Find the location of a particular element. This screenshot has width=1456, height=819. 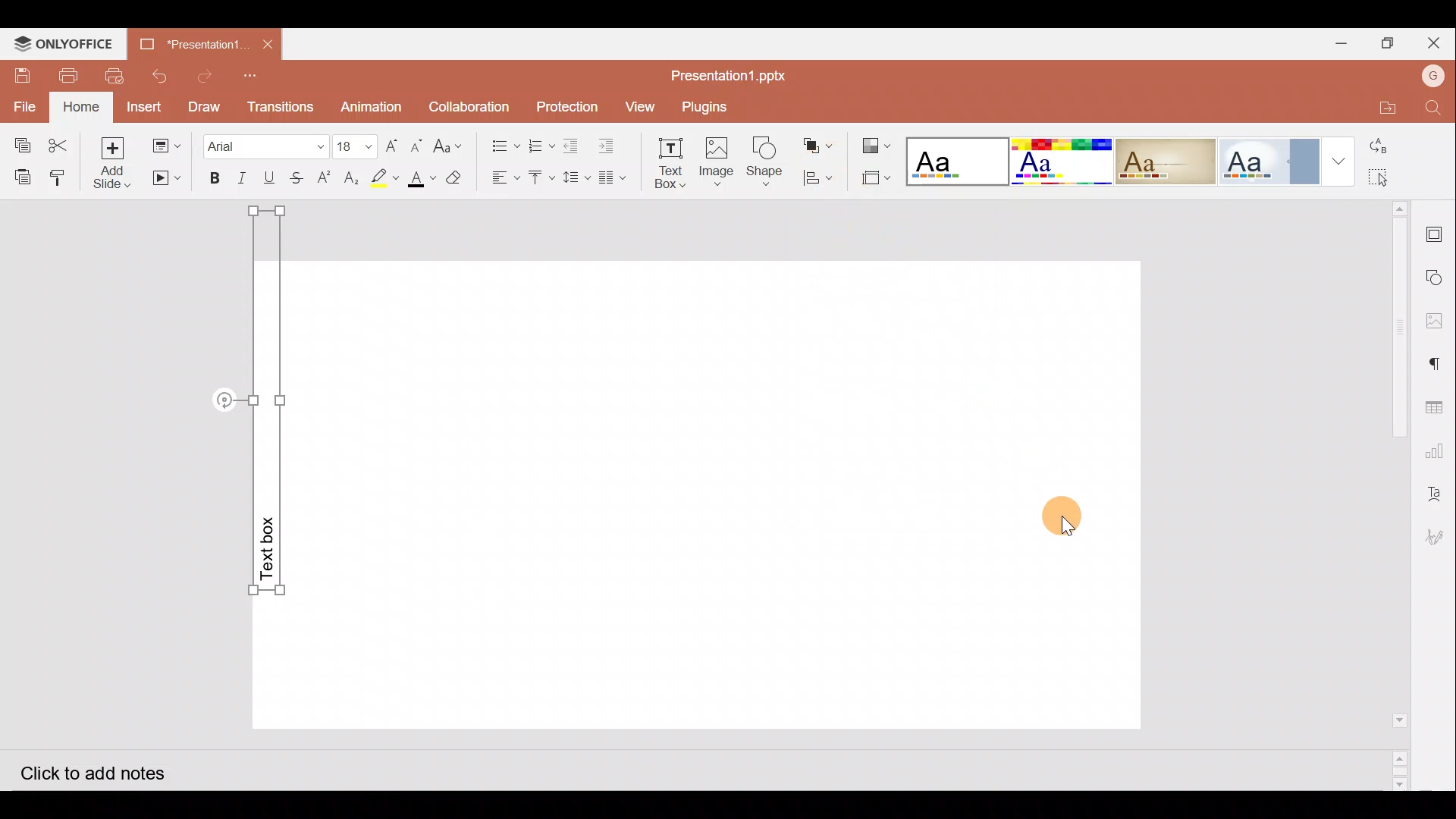

Print file is located at coordinates (62, 75).